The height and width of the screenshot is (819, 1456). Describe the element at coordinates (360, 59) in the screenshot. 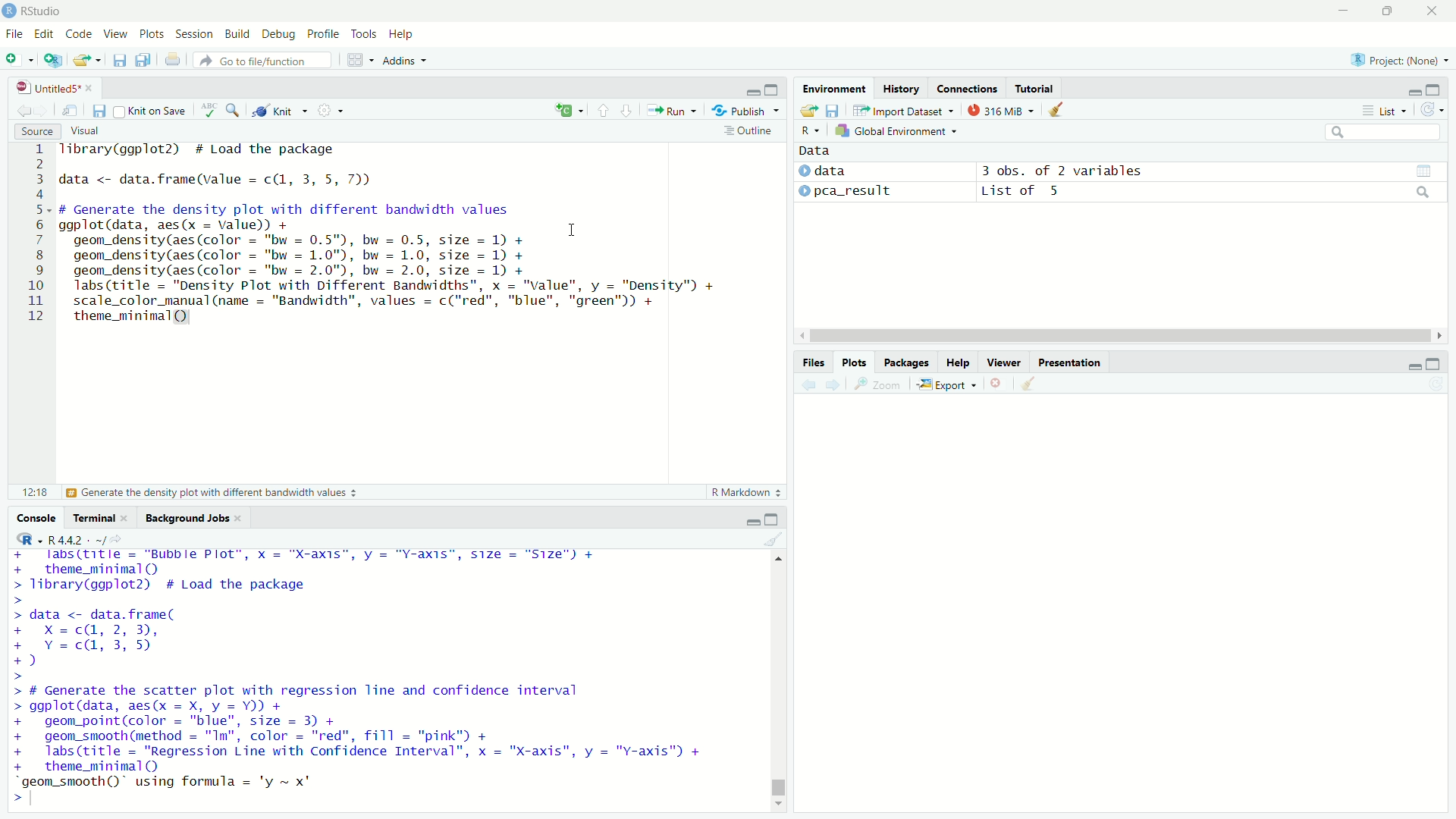

I see `Workspace panes` at that location.